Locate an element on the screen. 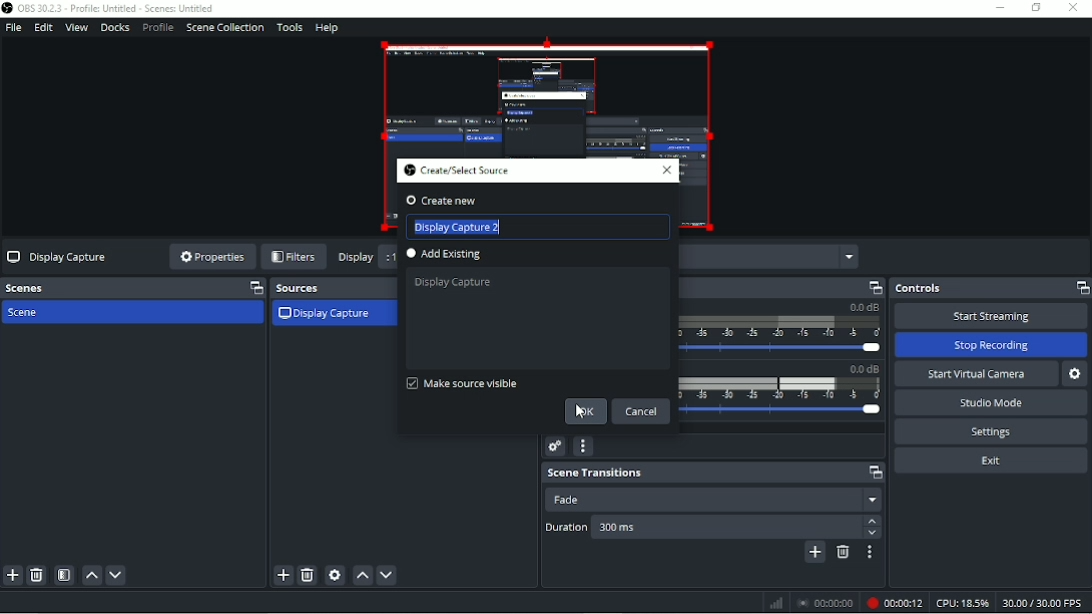  CPU 18.5% is located at coordinates (962, 602).